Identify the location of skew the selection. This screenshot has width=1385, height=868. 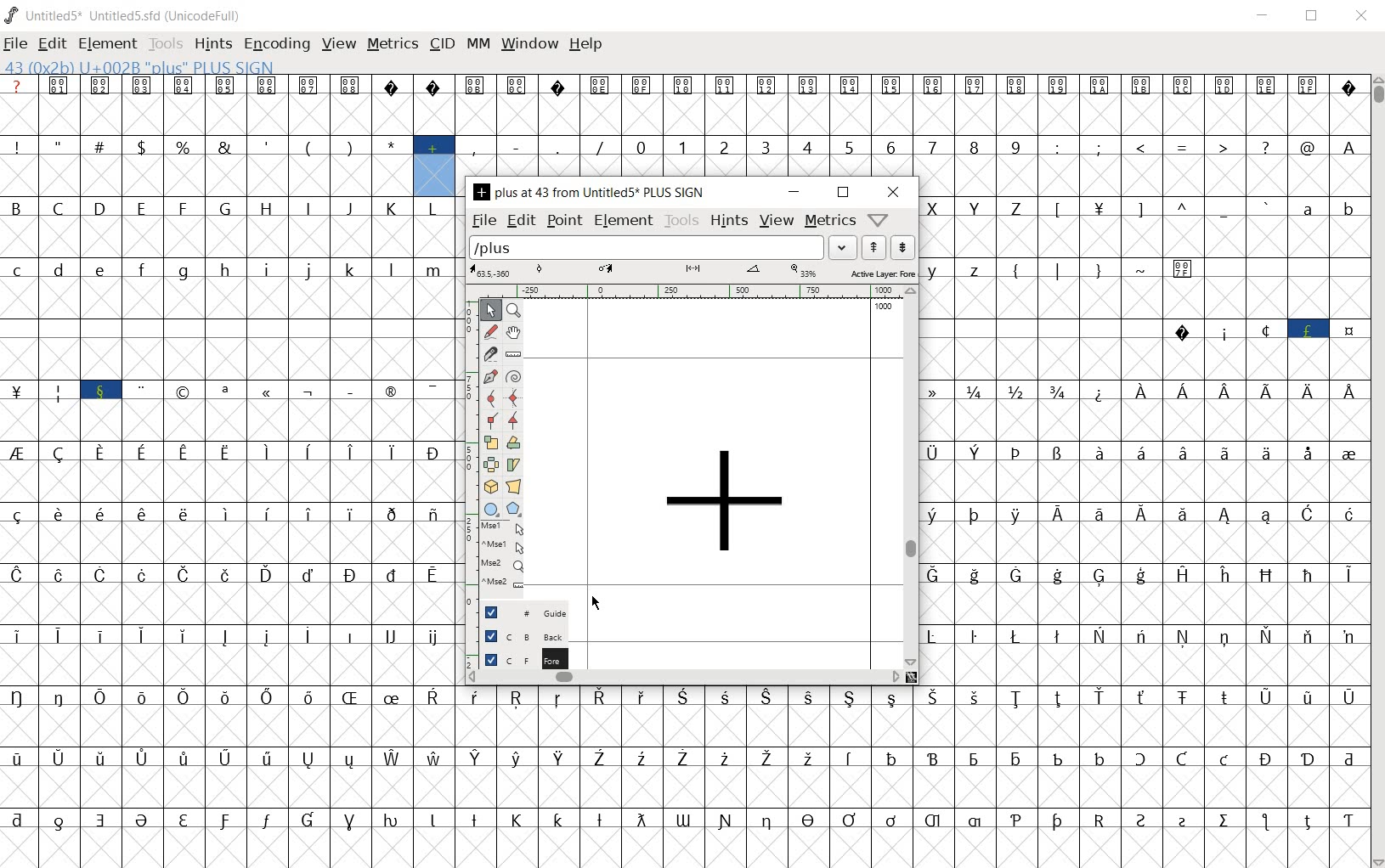
(514, 465).